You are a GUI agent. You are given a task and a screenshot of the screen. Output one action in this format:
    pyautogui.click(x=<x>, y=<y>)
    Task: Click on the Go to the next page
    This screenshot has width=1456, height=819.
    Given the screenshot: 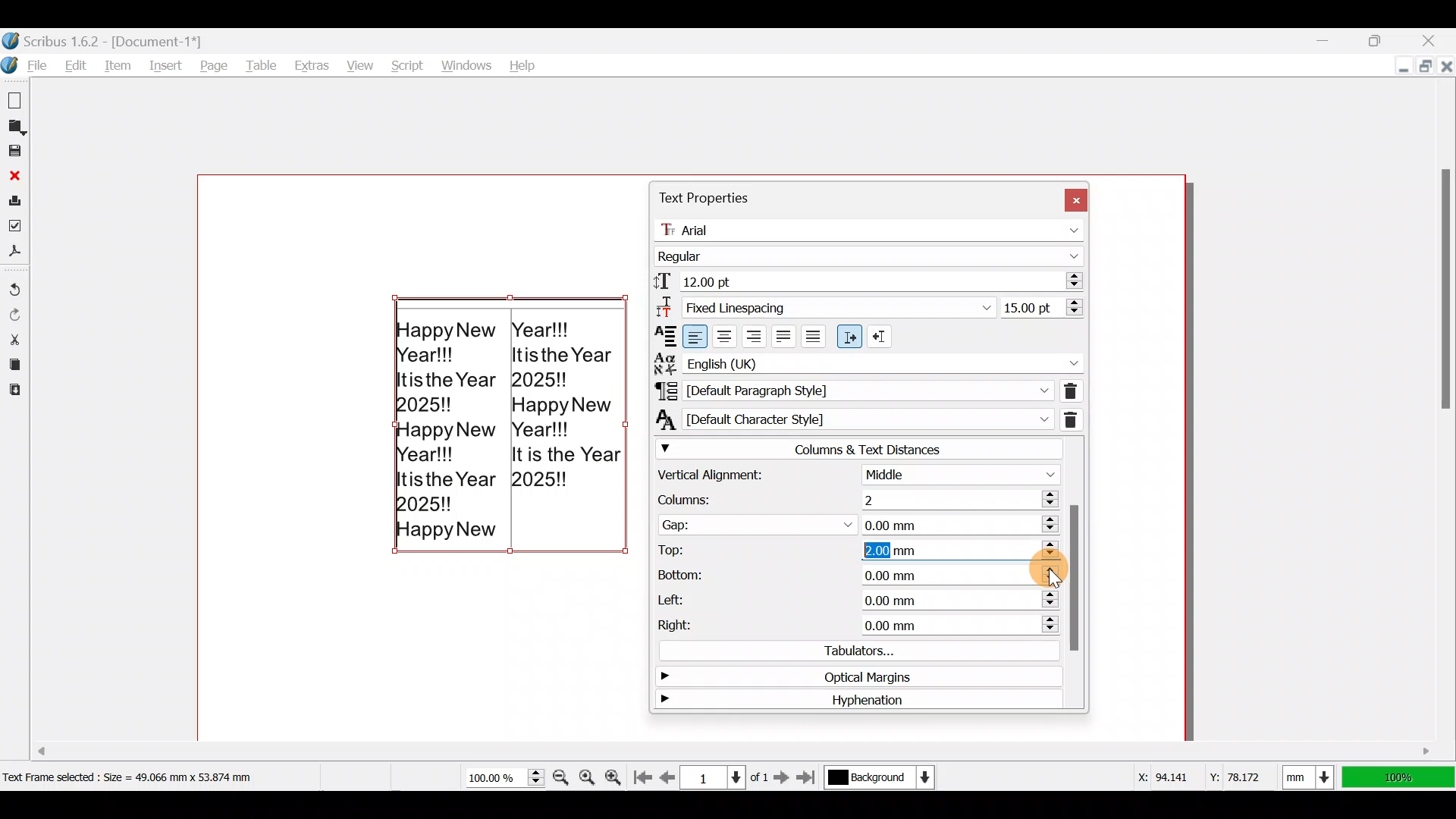 What is the action you would take?
    pyautogui.click(x=783, y=777)
    